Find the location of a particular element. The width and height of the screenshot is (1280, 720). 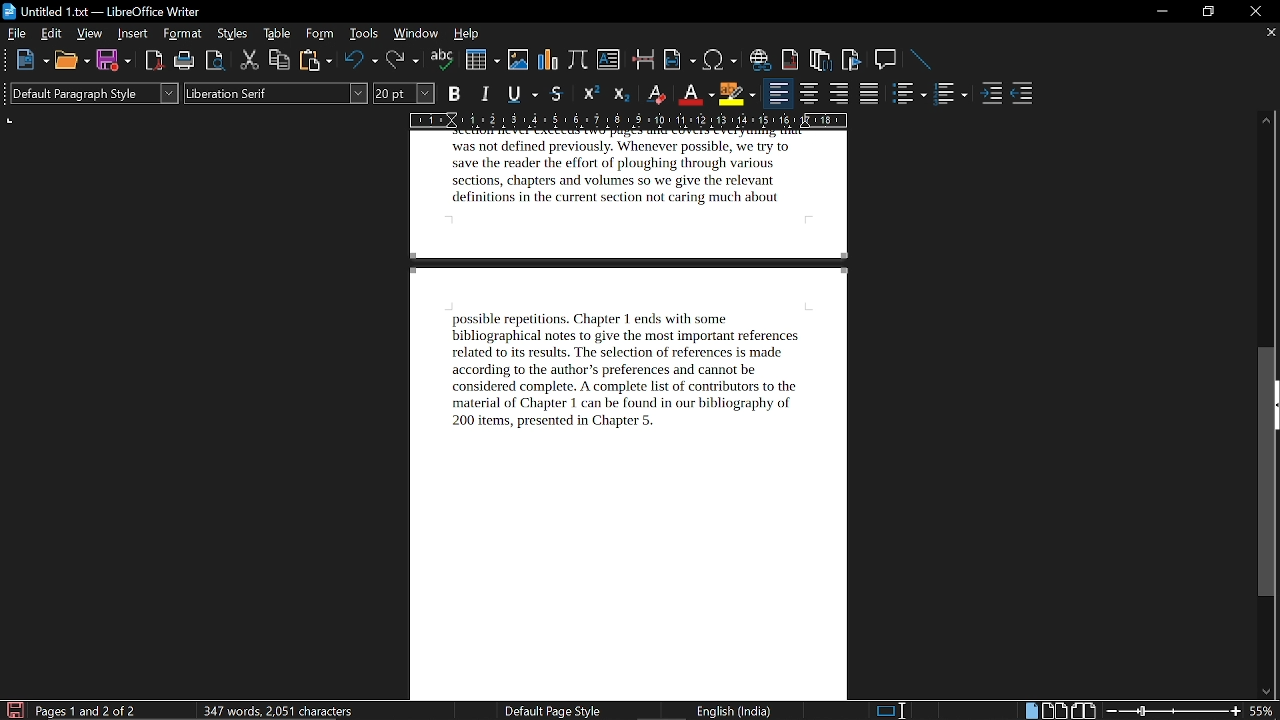

single page view is located at coordinates (1030, 710).